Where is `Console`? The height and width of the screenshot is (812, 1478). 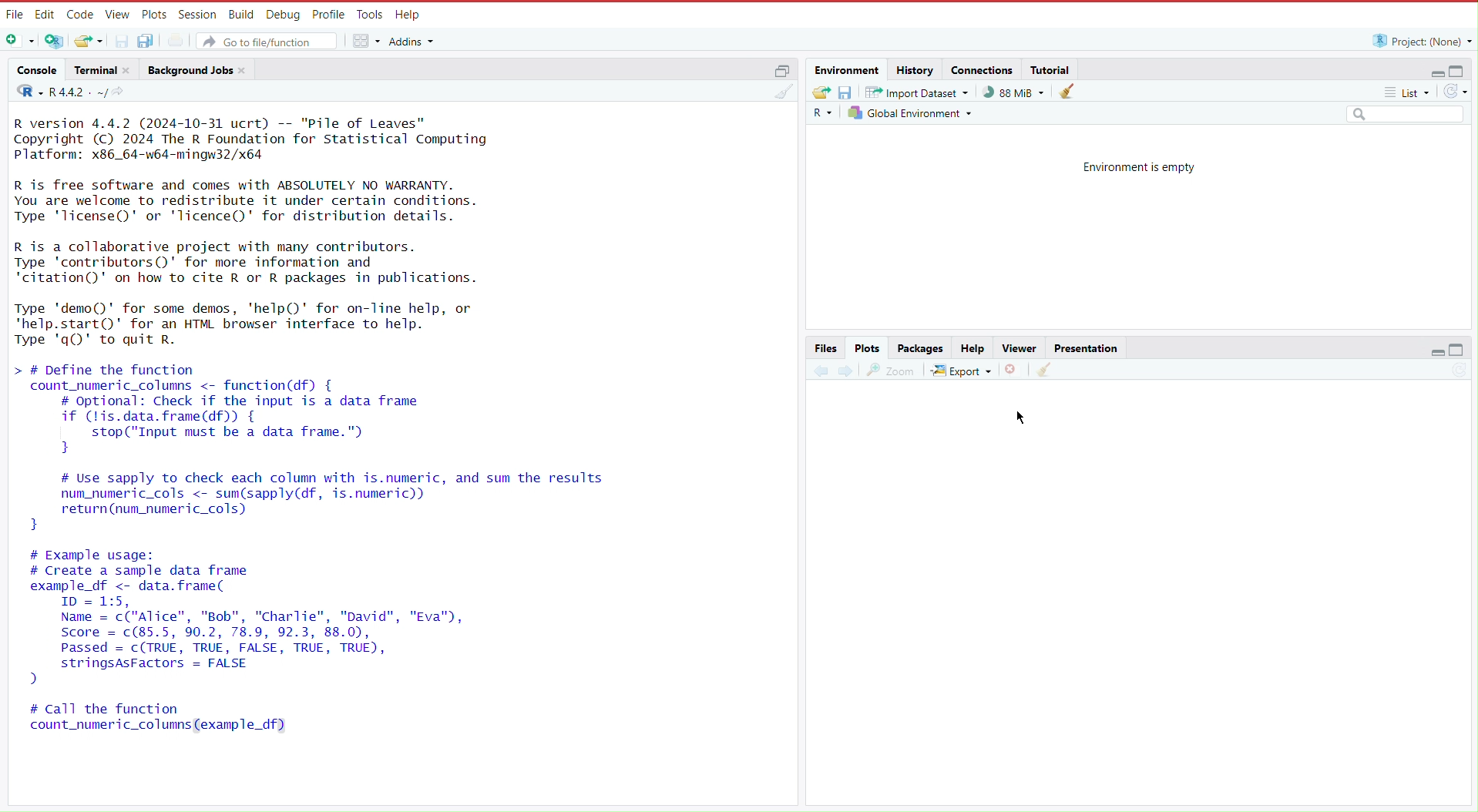
Console is located at coordinates (37, 72).